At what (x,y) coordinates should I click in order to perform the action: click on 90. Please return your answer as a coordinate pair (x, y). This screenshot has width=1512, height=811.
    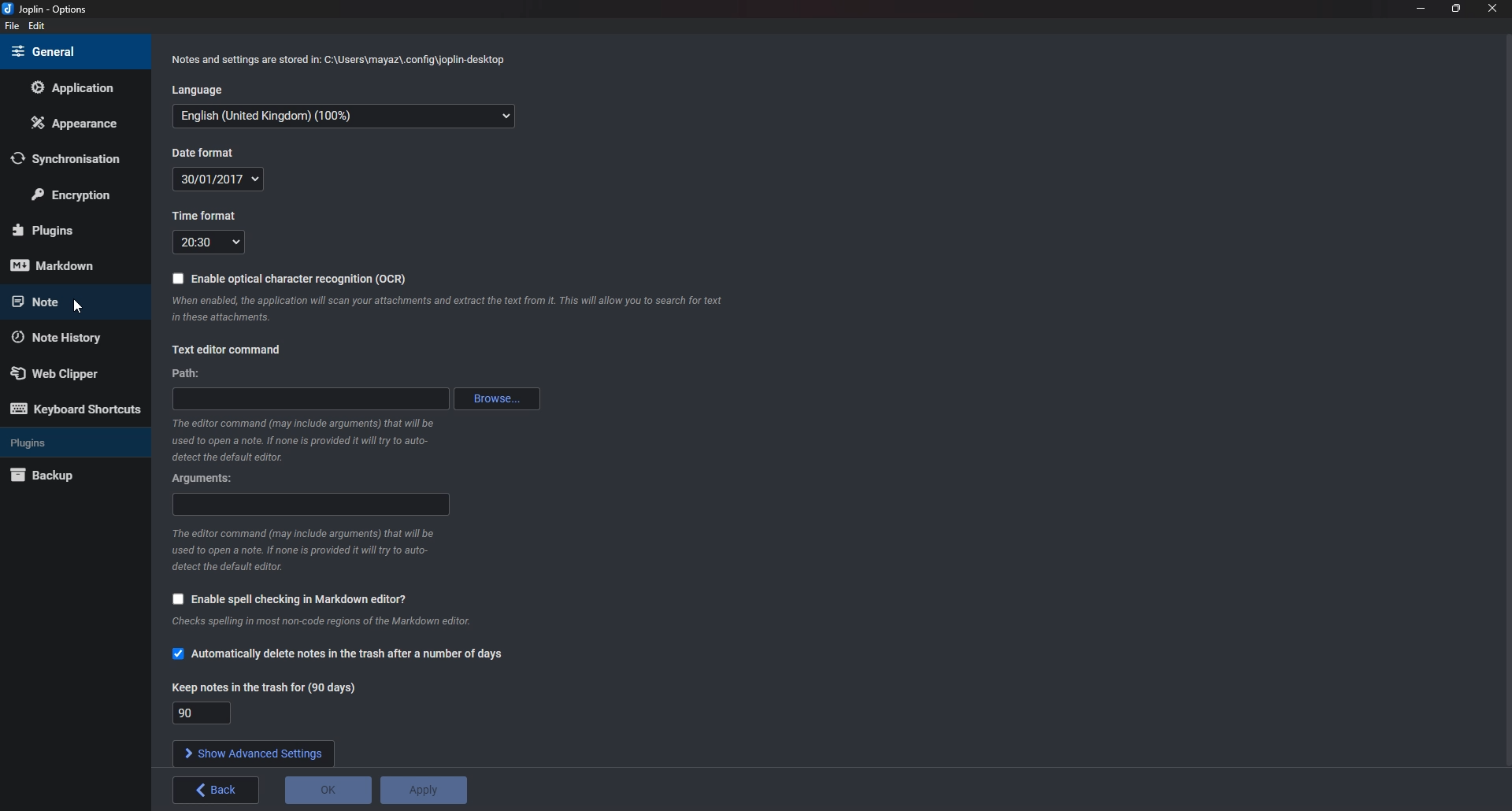
    Looking at the image, I should click on (205, 713).